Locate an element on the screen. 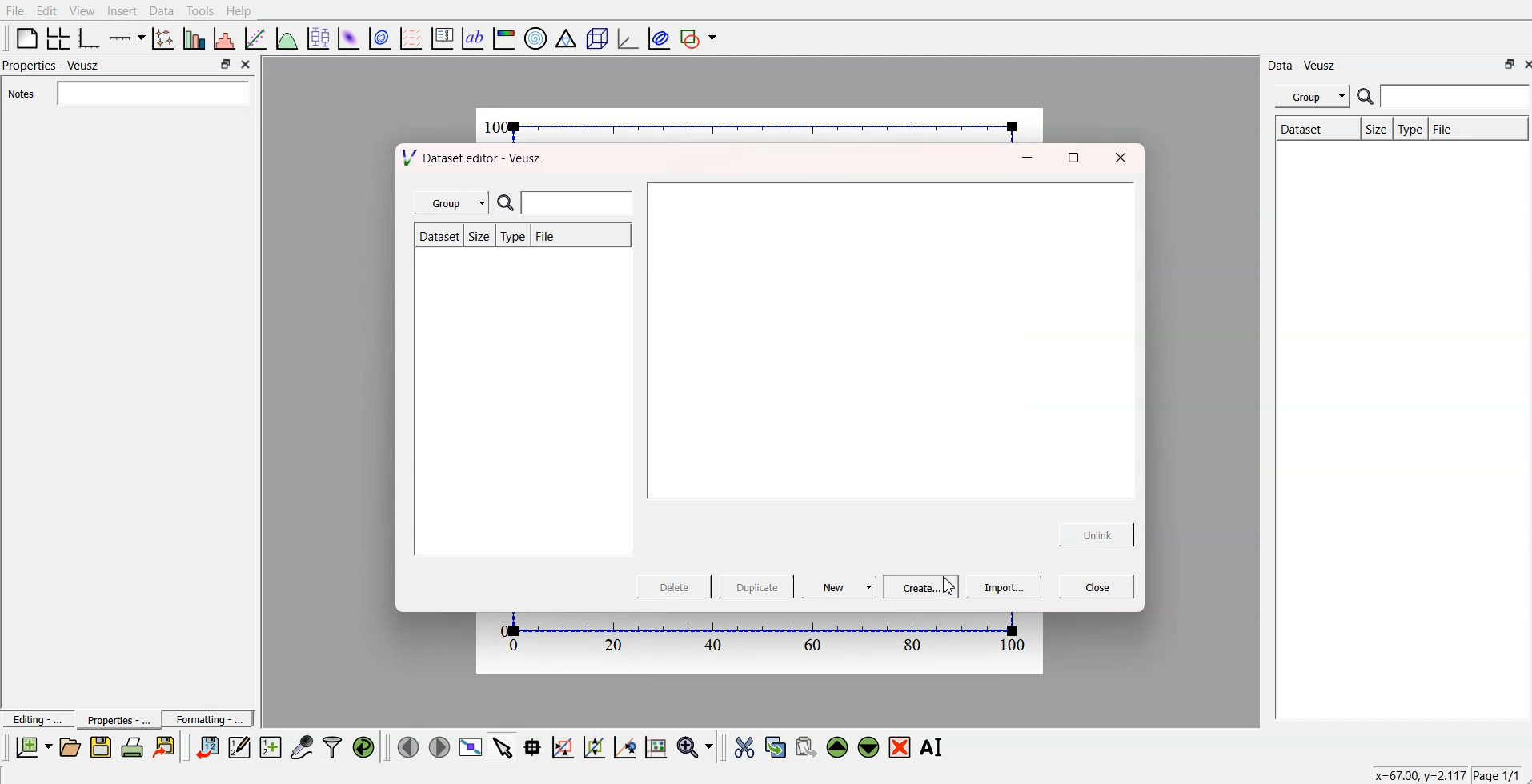 The width and height of the screenshot is (1532, 784). Export to graphics format is located at coordinates (167, 748).